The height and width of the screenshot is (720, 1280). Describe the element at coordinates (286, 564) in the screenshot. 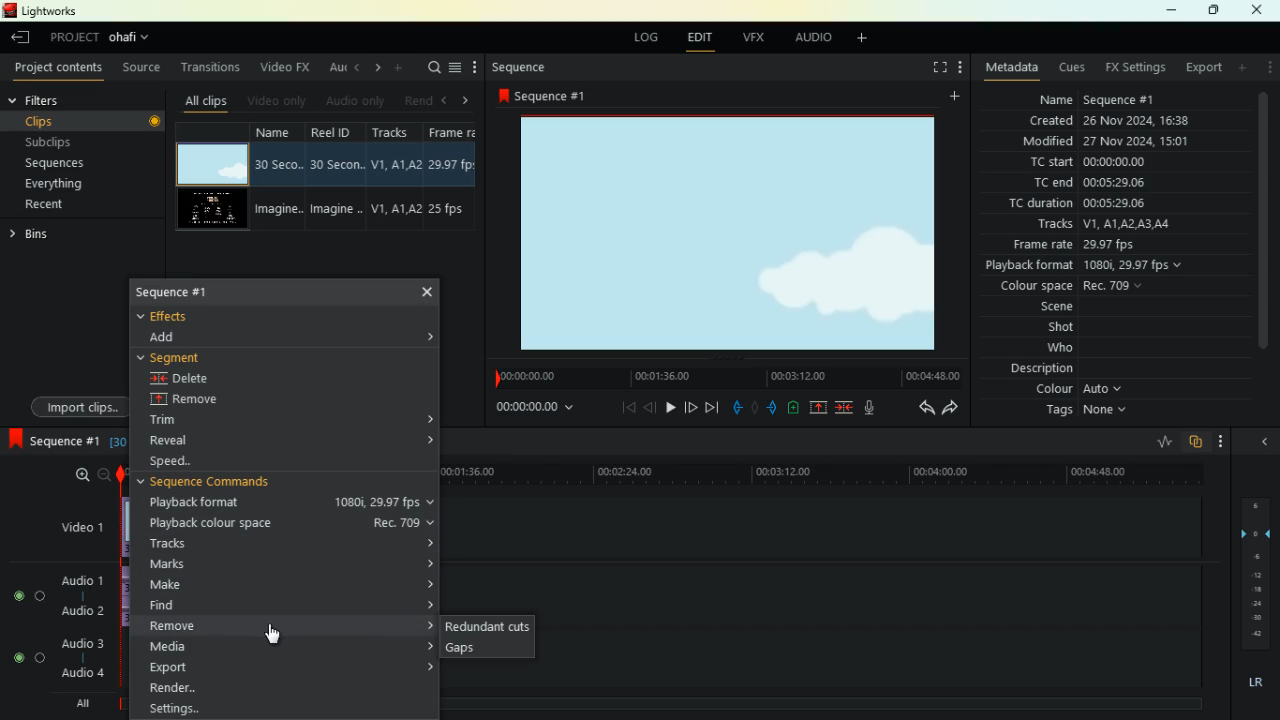

I see `marks` at that location.